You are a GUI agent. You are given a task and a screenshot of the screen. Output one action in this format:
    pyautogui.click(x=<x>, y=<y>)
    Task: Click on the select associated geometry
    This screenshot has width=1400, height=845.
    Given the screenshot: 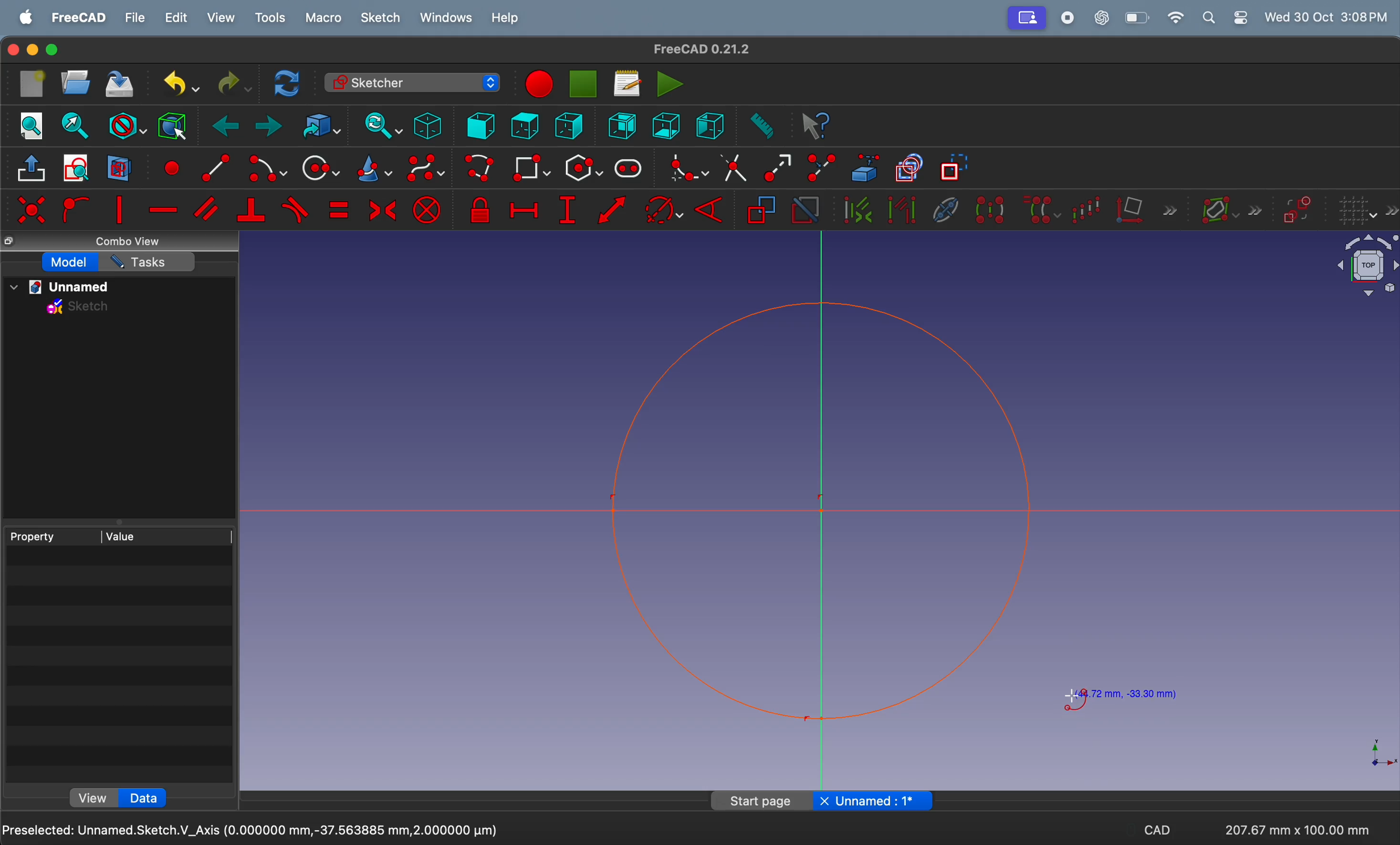 What is the action you would take?
    pyautogui.click(x=902, y=211)
    